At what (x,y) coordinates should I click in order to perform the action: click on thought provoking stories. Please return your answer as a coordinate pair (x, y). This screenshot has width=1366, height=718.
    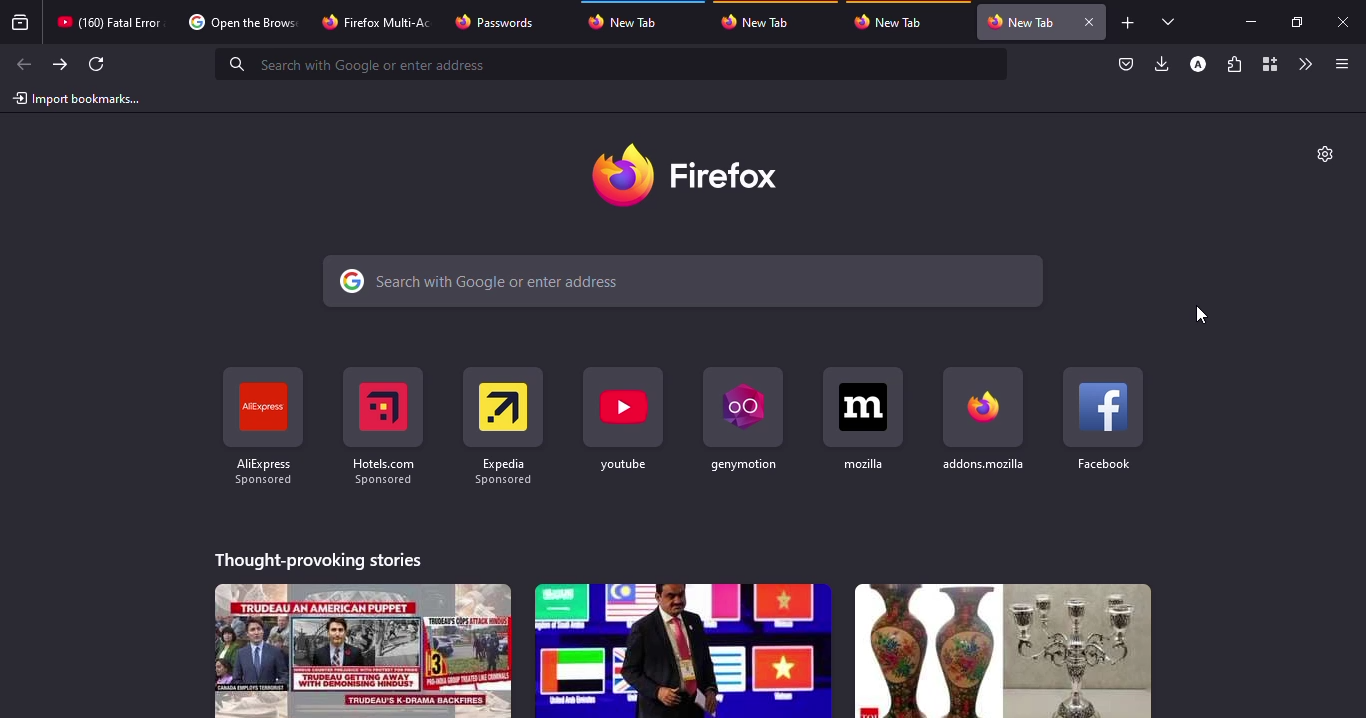
    Looking at the image, I should click on (316, 561).